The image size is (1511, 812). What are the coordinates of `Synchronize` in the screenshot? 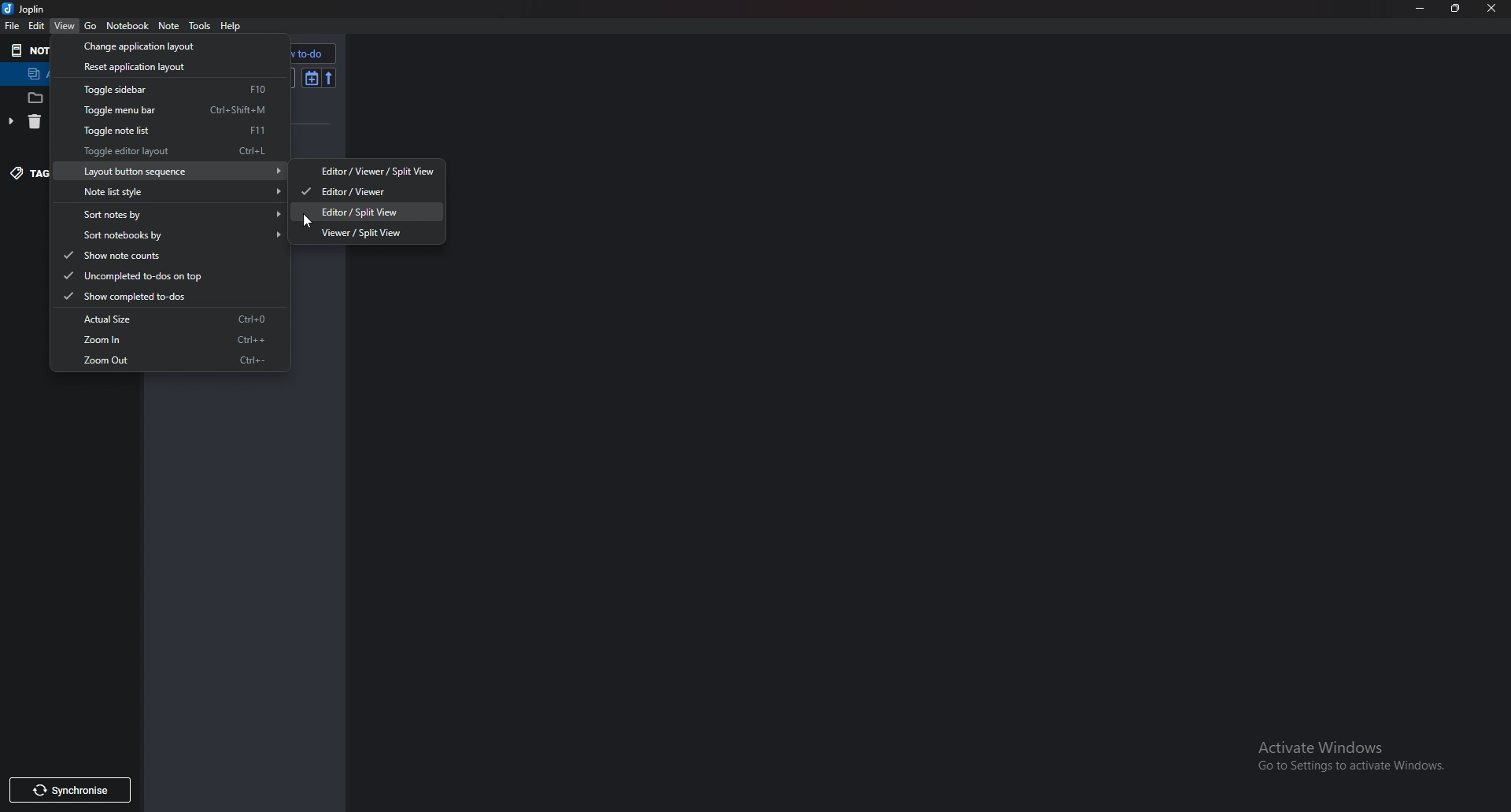 It's located at (68, 791).